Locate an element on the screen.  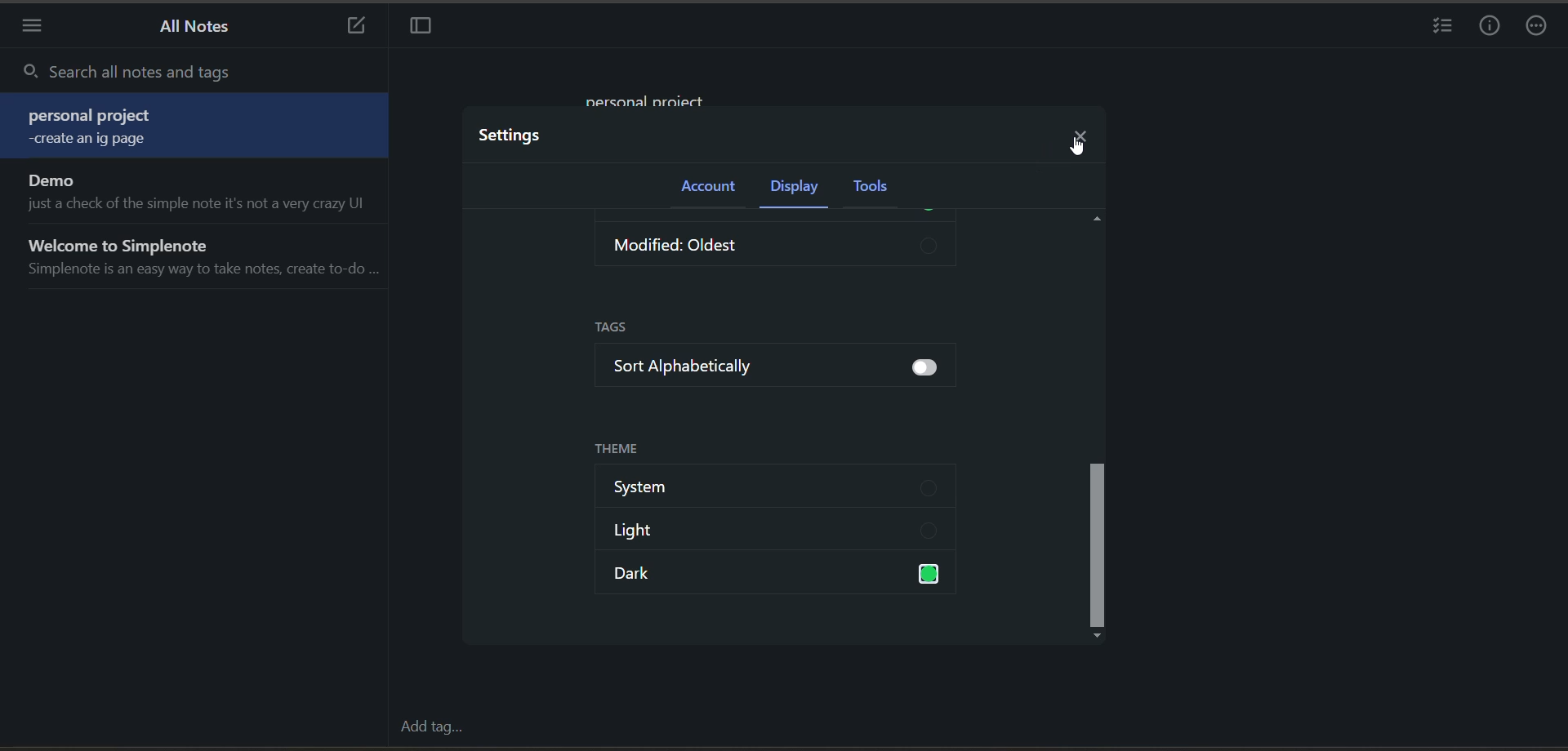
dark is located at coordinates (786, 576).